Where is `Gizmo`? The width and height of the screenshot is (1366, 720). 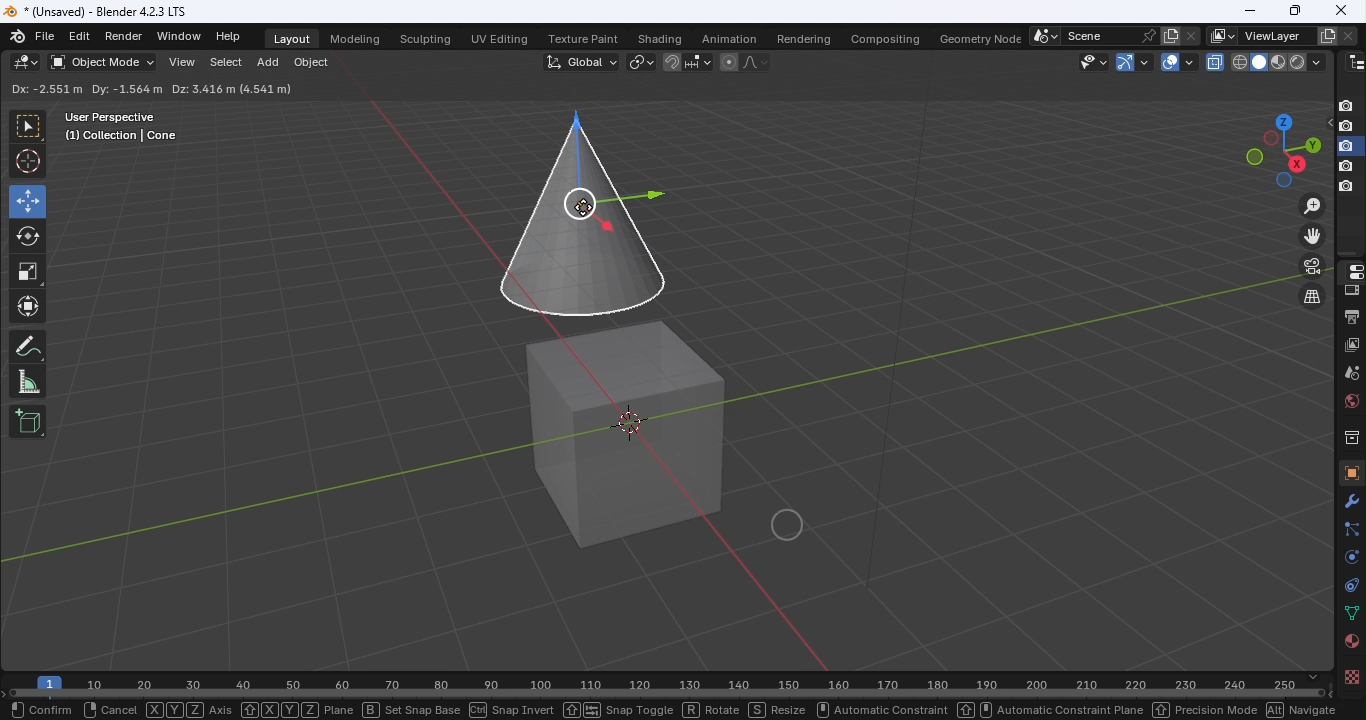
Gizmo is located at coordinates (1122, 61).